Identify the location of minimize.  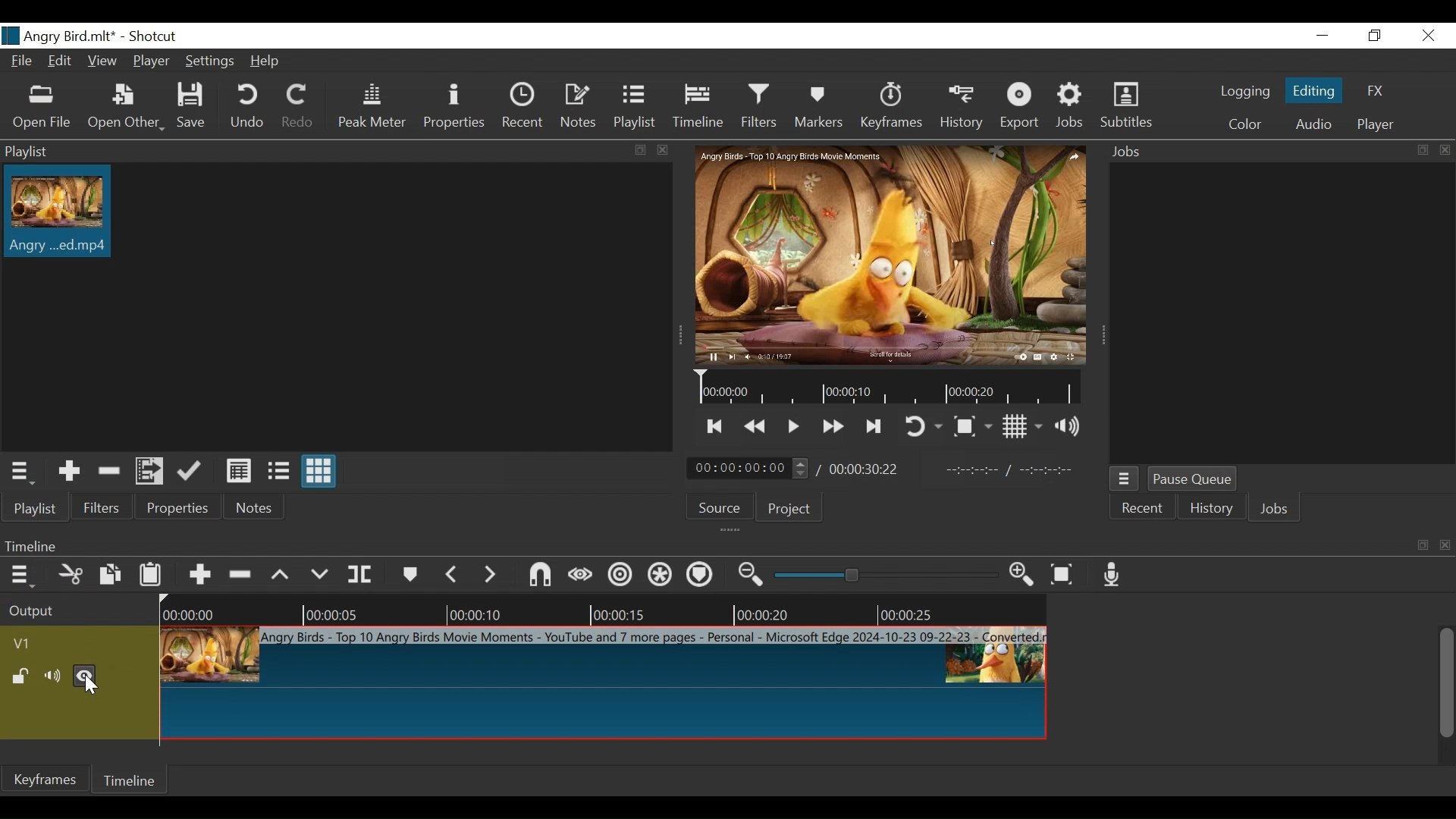
(1323, 35).